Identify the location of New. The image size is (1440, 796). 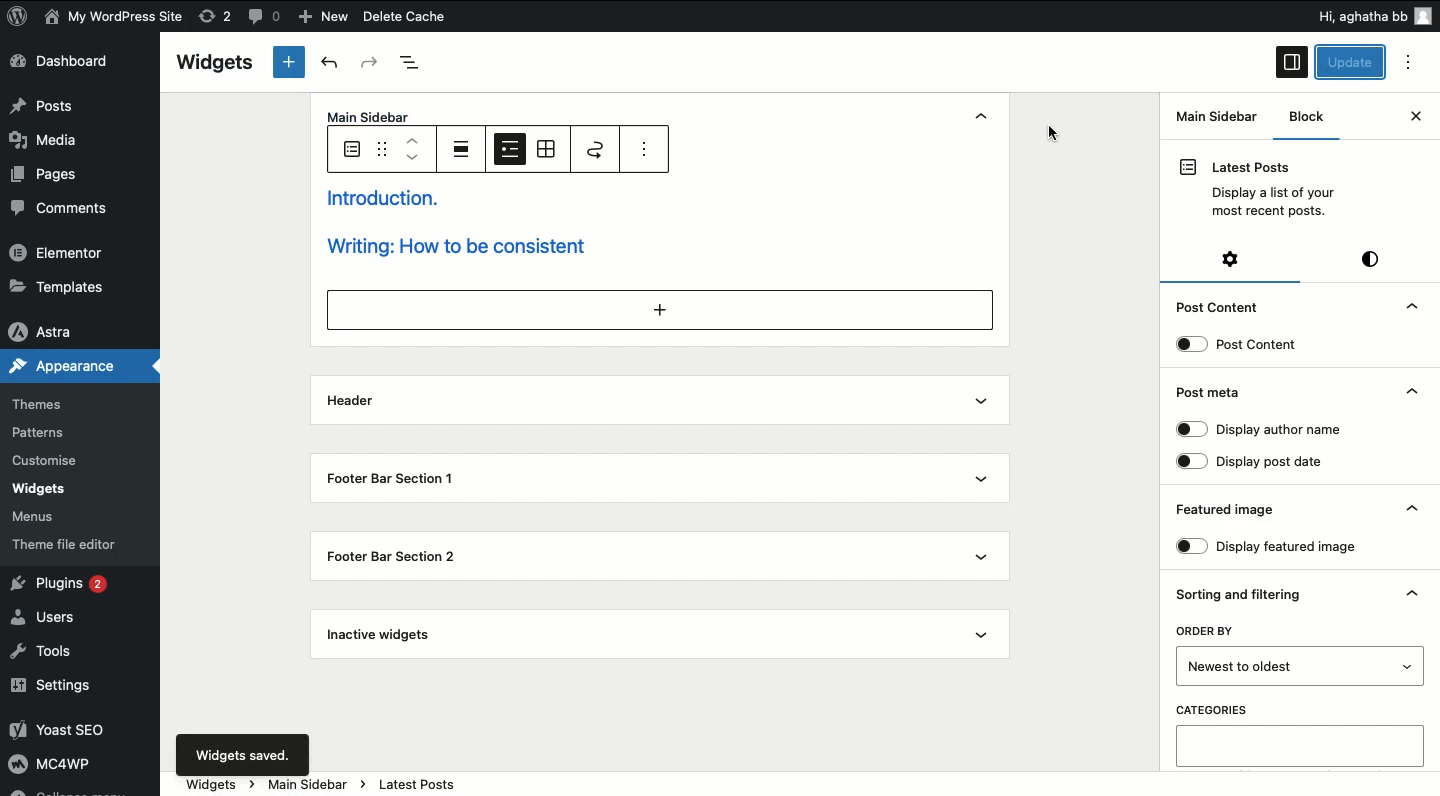
(329, 17).